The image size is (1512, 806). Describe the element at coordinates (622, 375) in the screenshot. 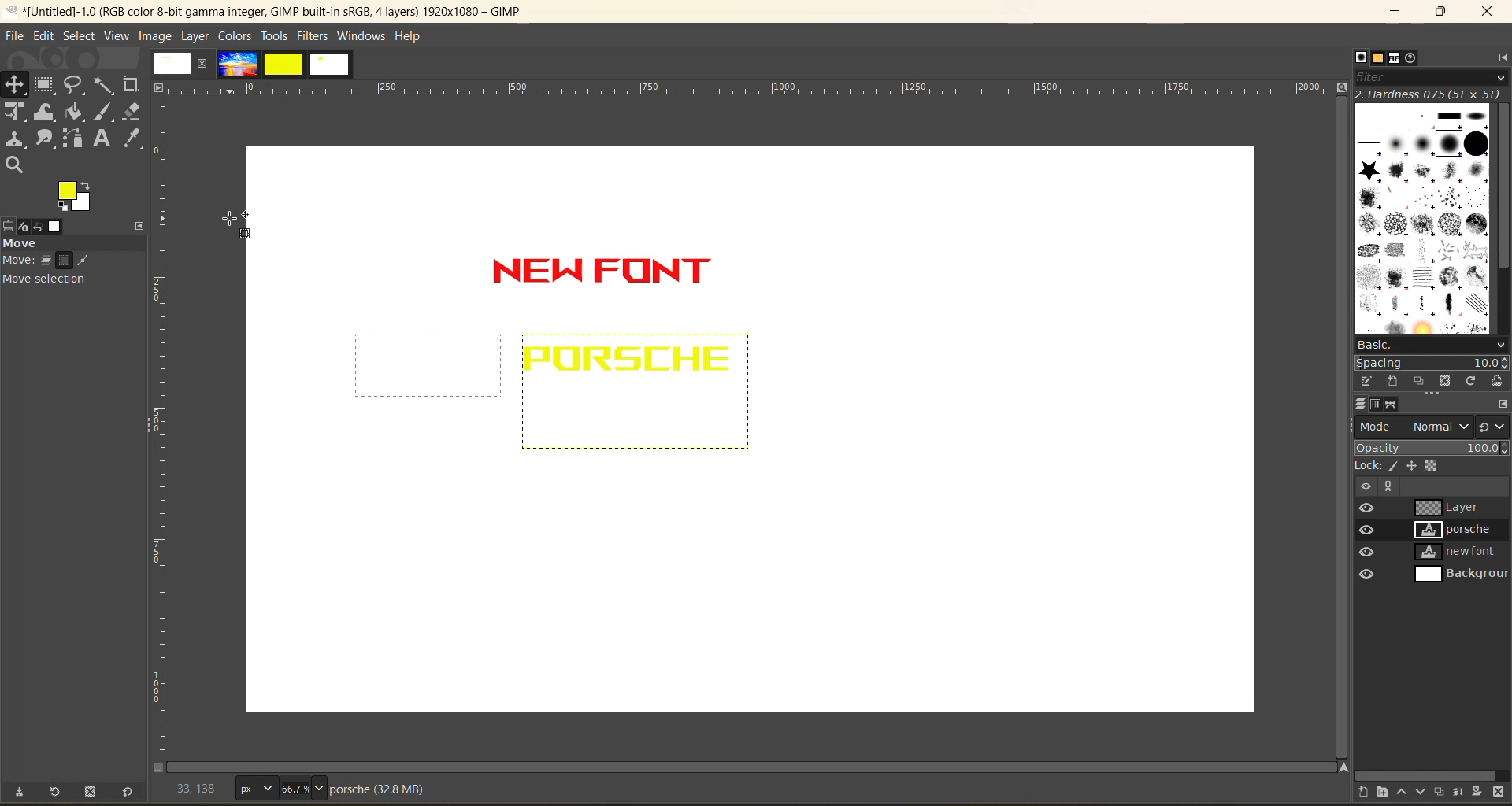

I see `text inserted` at that location.